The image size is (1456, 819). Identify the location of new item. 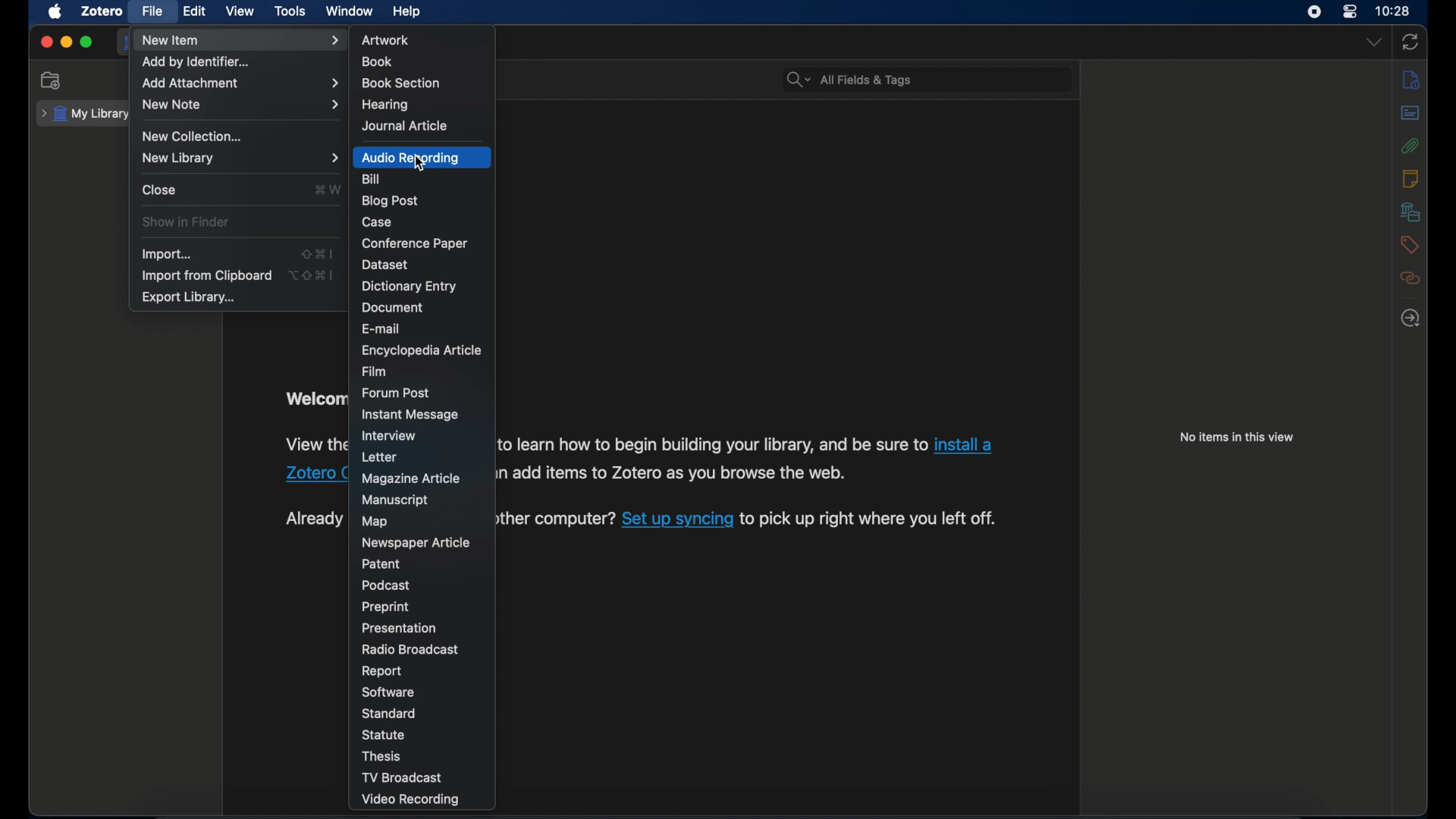
(240, 41).